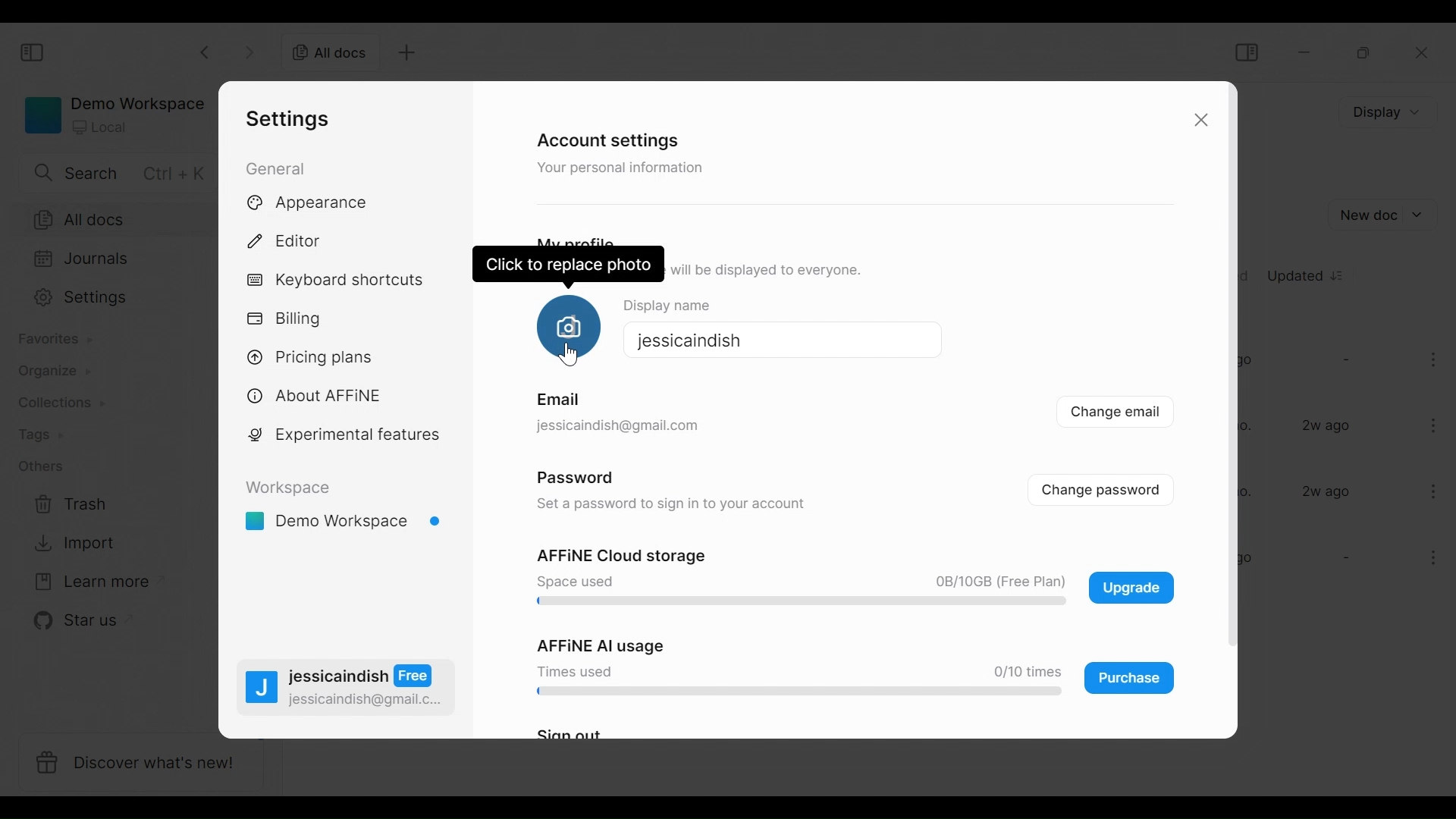  Describe the element at coordinates (1362, 53) in the screenshot. I see `Restore` at that location.